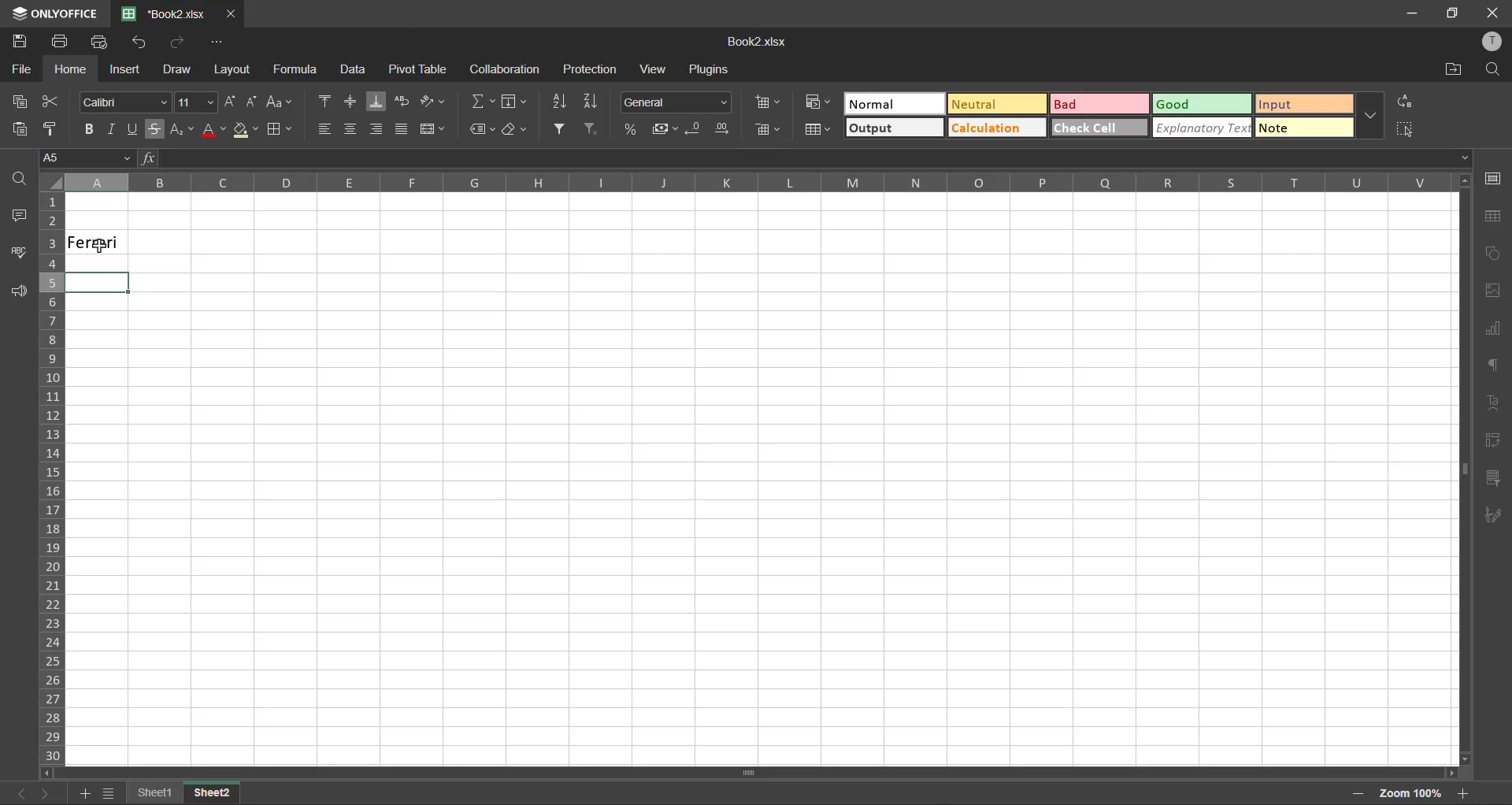 This screenshot has height=805, width=1512. I want to click on merge and center, so click(433, 132).